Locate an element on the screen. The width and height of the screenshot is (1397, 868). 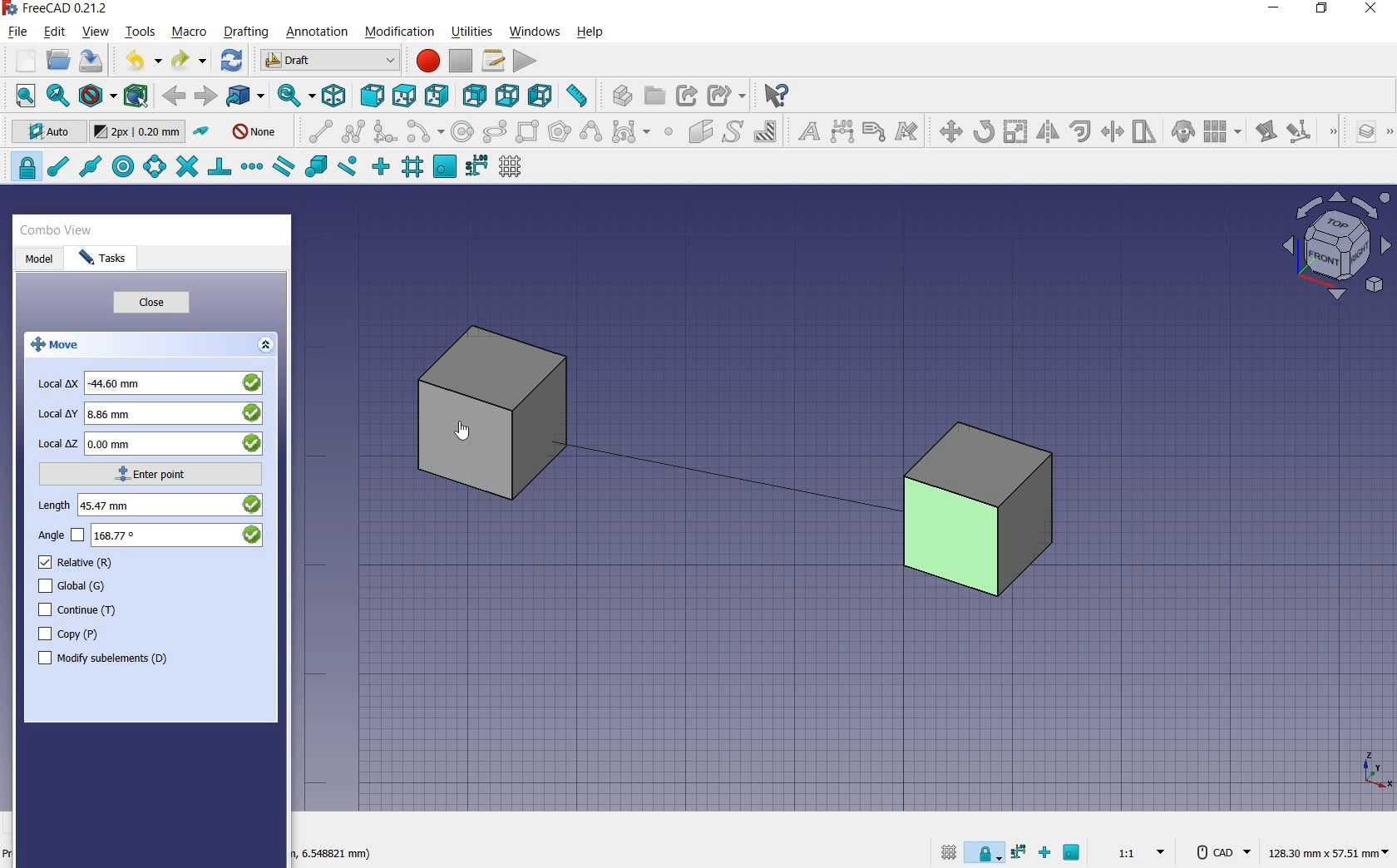
help is located at coordinates (590, 32).